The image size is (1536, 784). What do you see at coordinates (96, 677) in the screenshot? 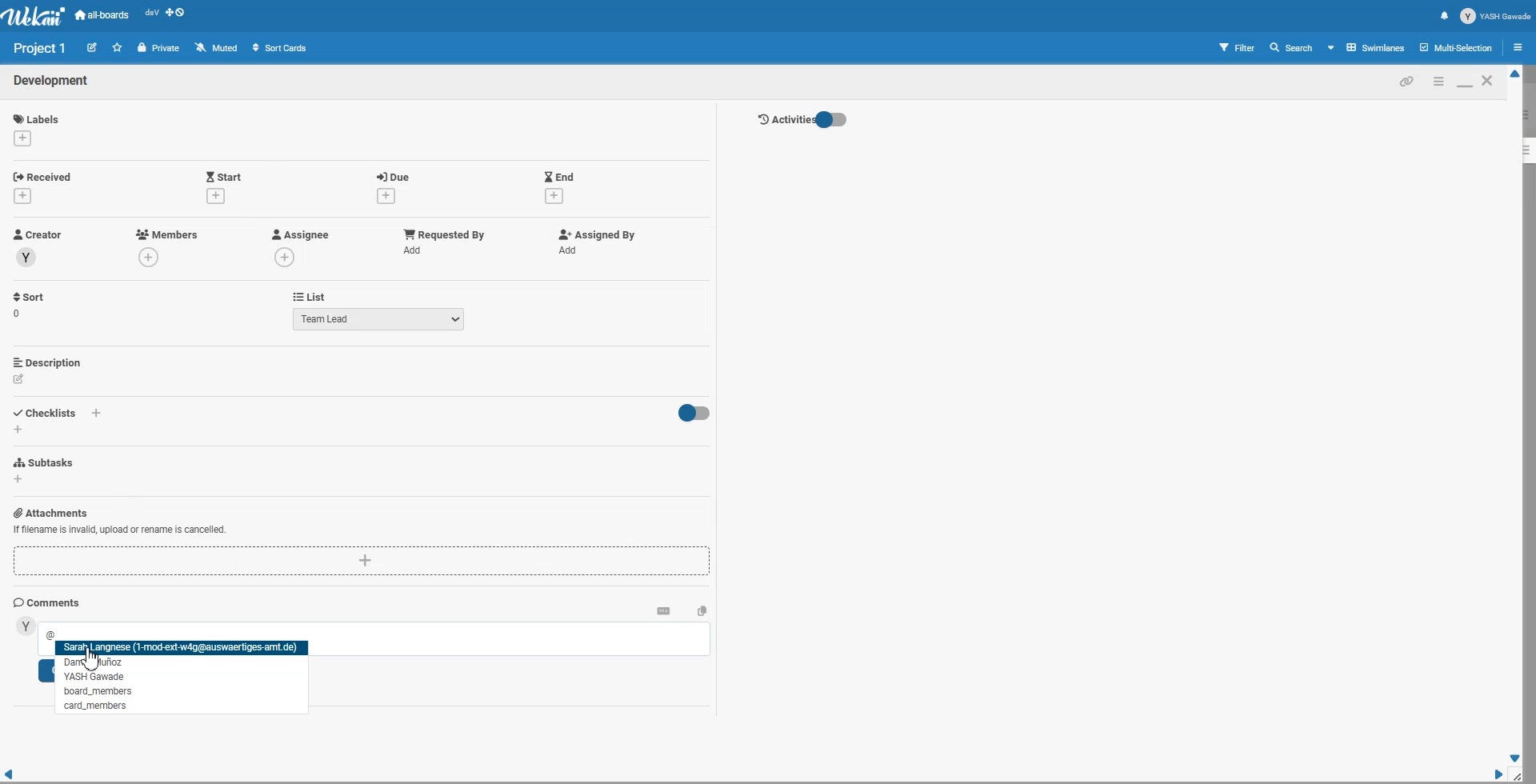
I see `tag People` at bounding box center [96, 677].